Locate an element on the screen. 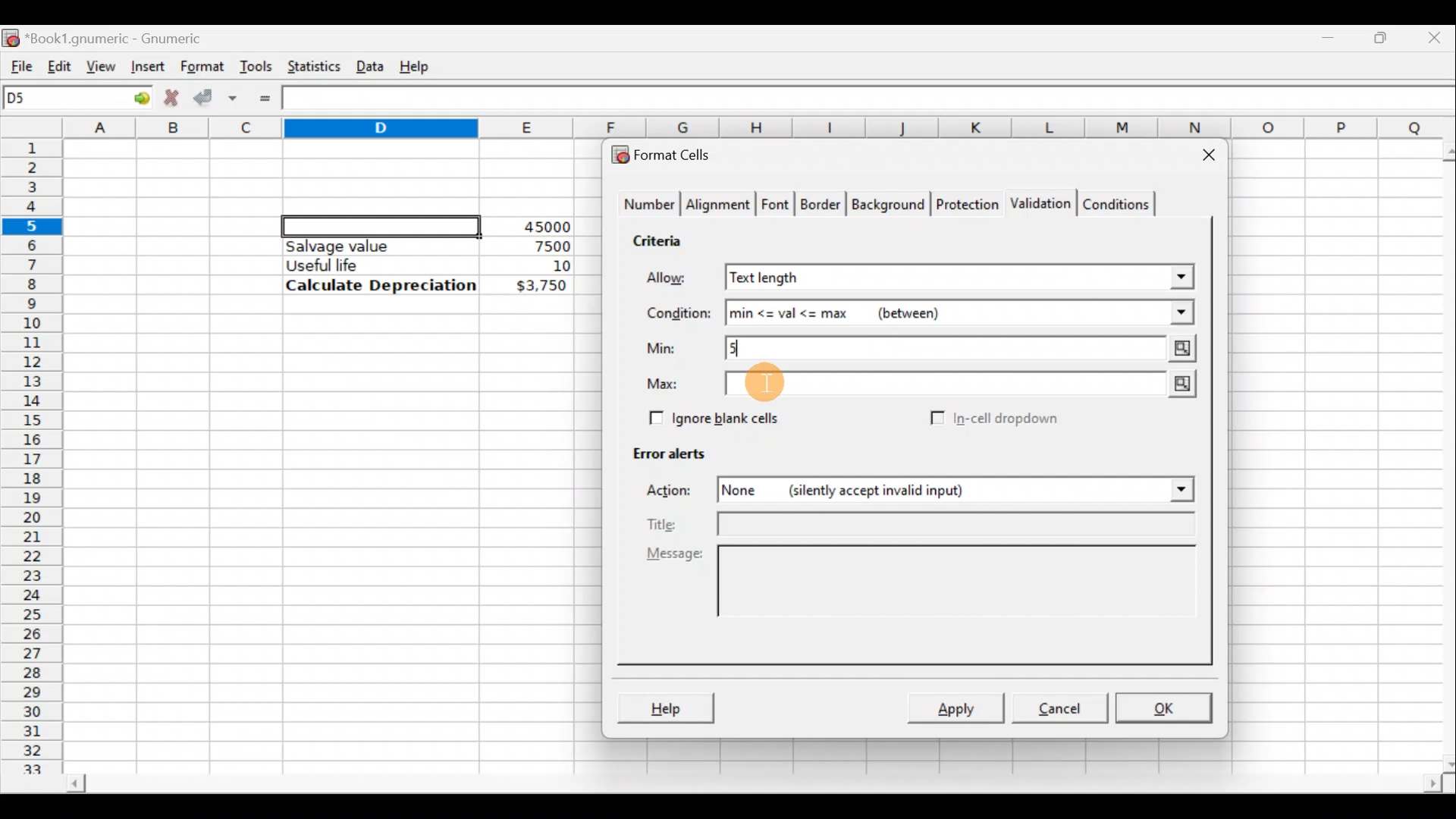  Number is located at coordinates (645, 206).